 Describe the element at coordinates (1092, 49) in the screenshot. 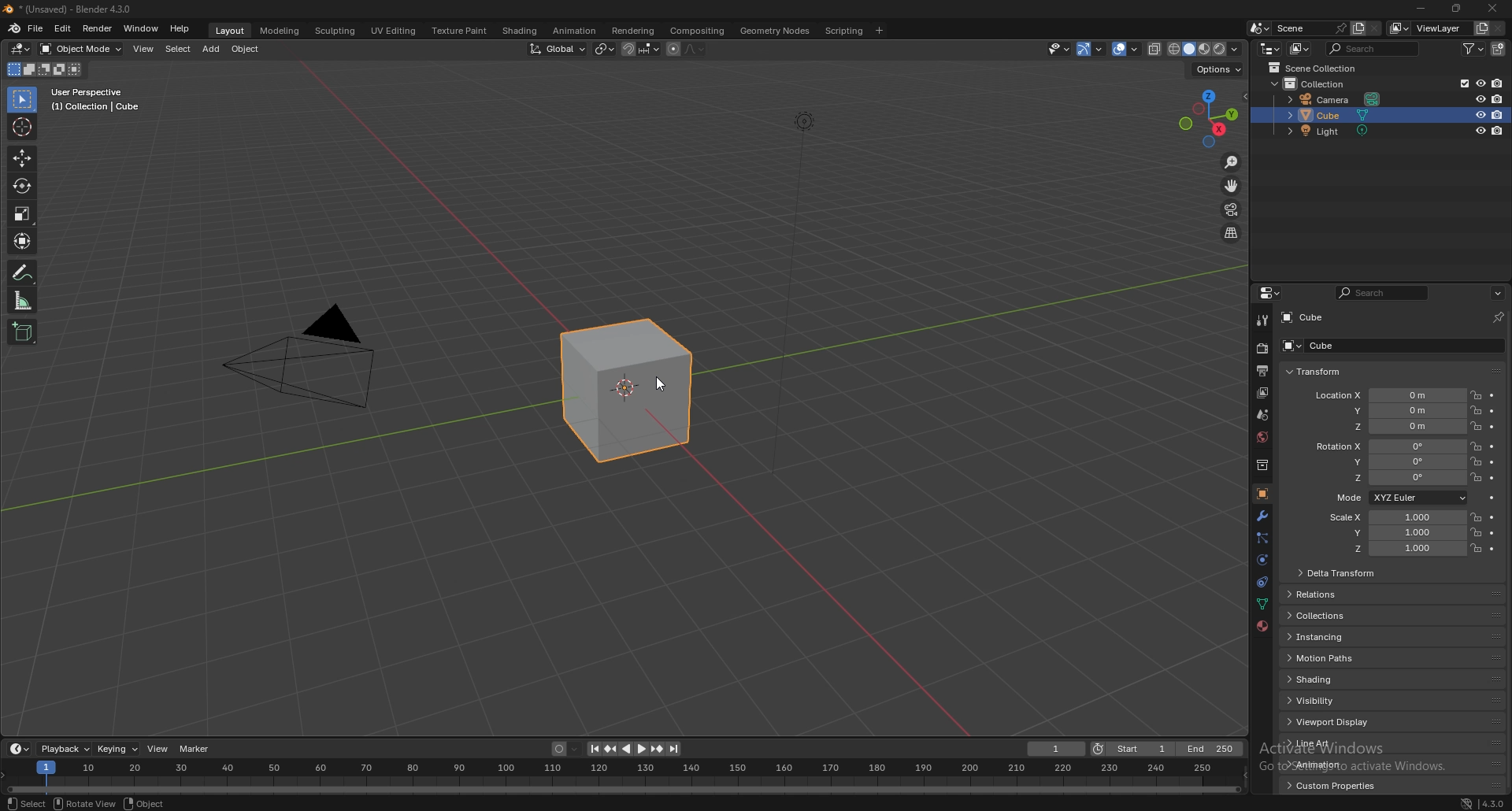

I see `show gizmo` at that location.